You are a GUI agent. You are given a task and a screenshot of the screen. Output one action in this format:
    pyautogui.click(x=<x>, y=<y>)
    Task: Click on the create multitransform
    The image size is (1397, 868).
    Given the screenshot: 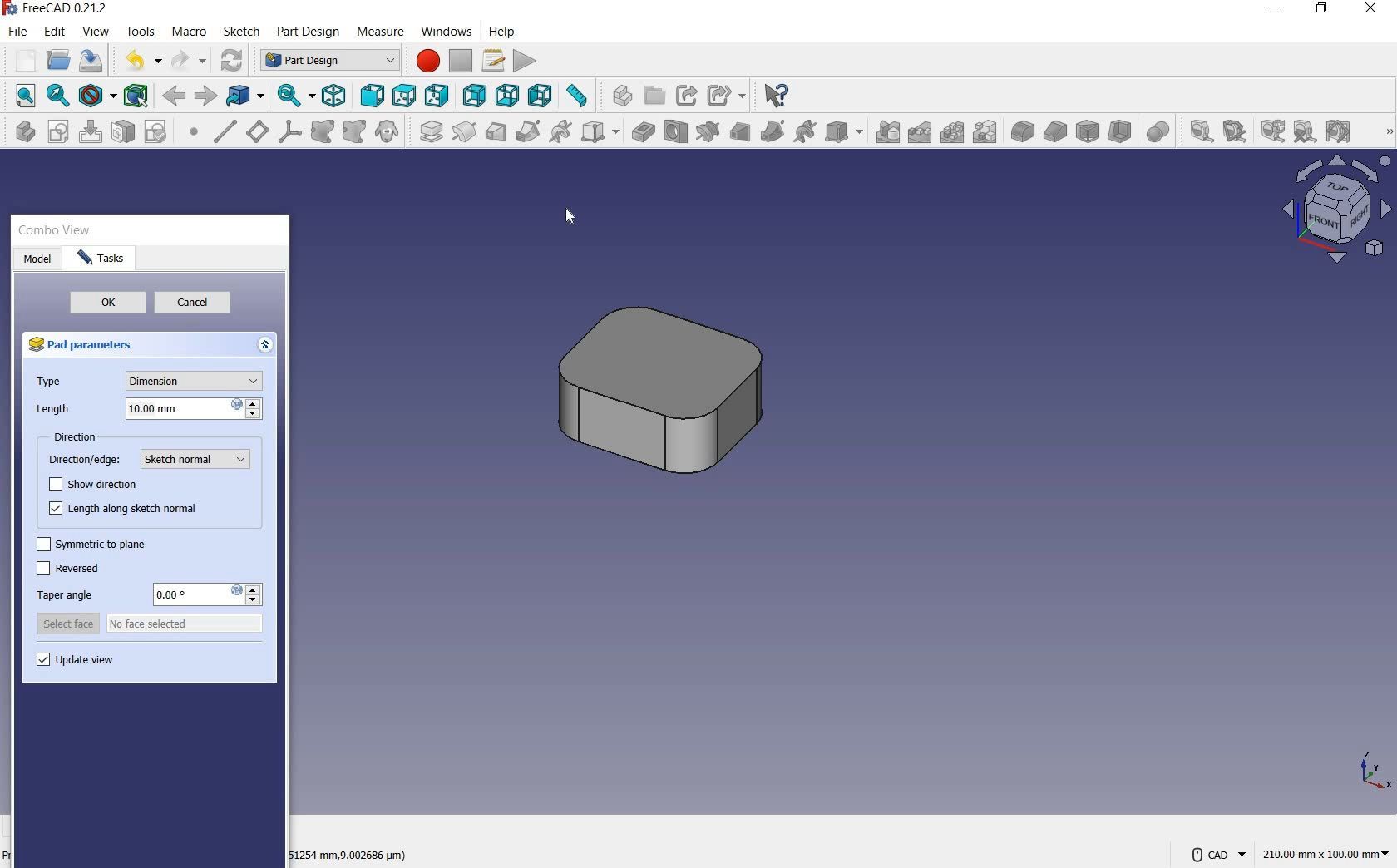 What is the action you would take?
    pyautogui.click(x=988, y=133)
    